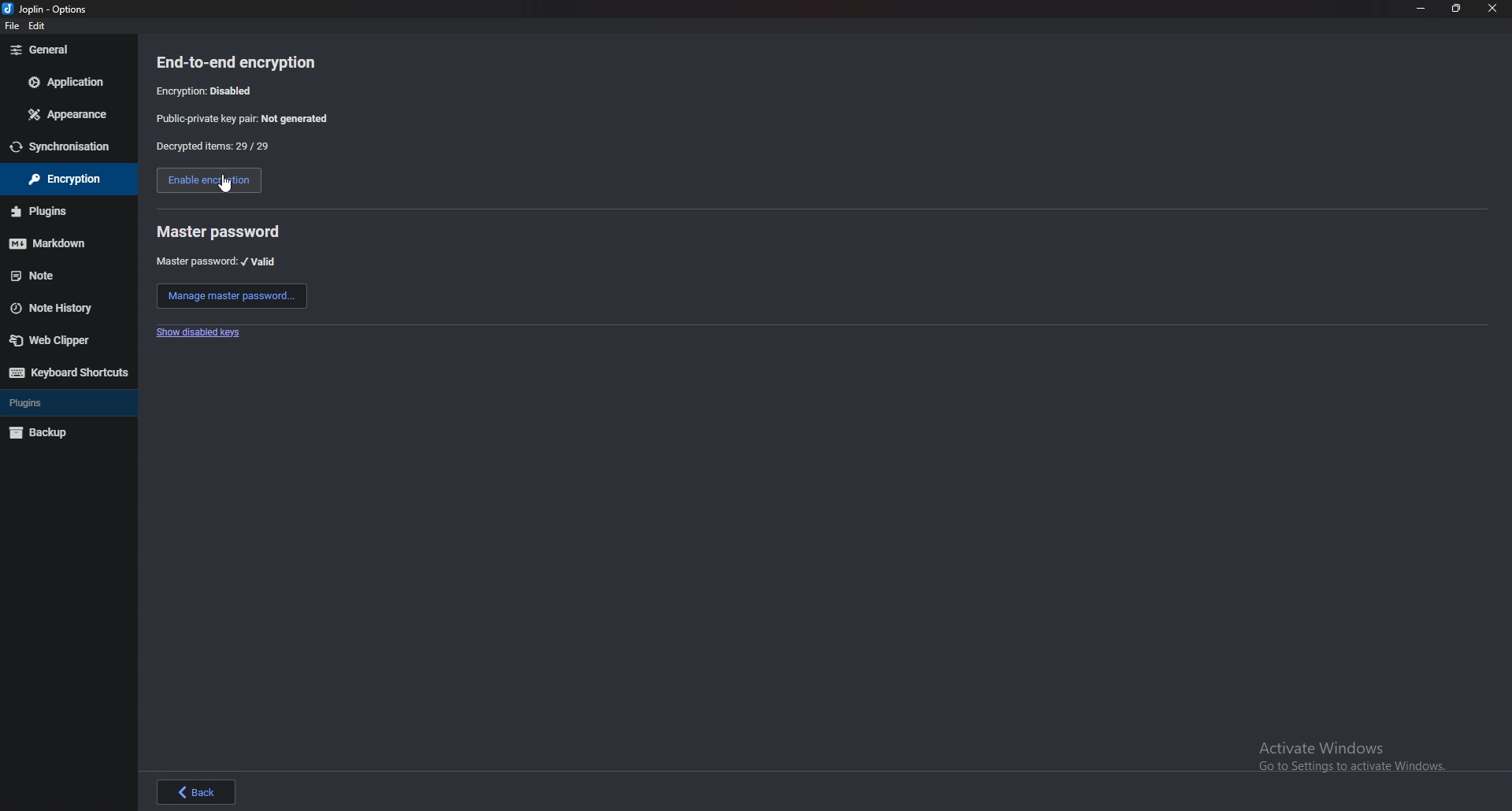 Image resolution: width=1512 pixels, height=811 pixels. I want to click on , so click(1418, 9).